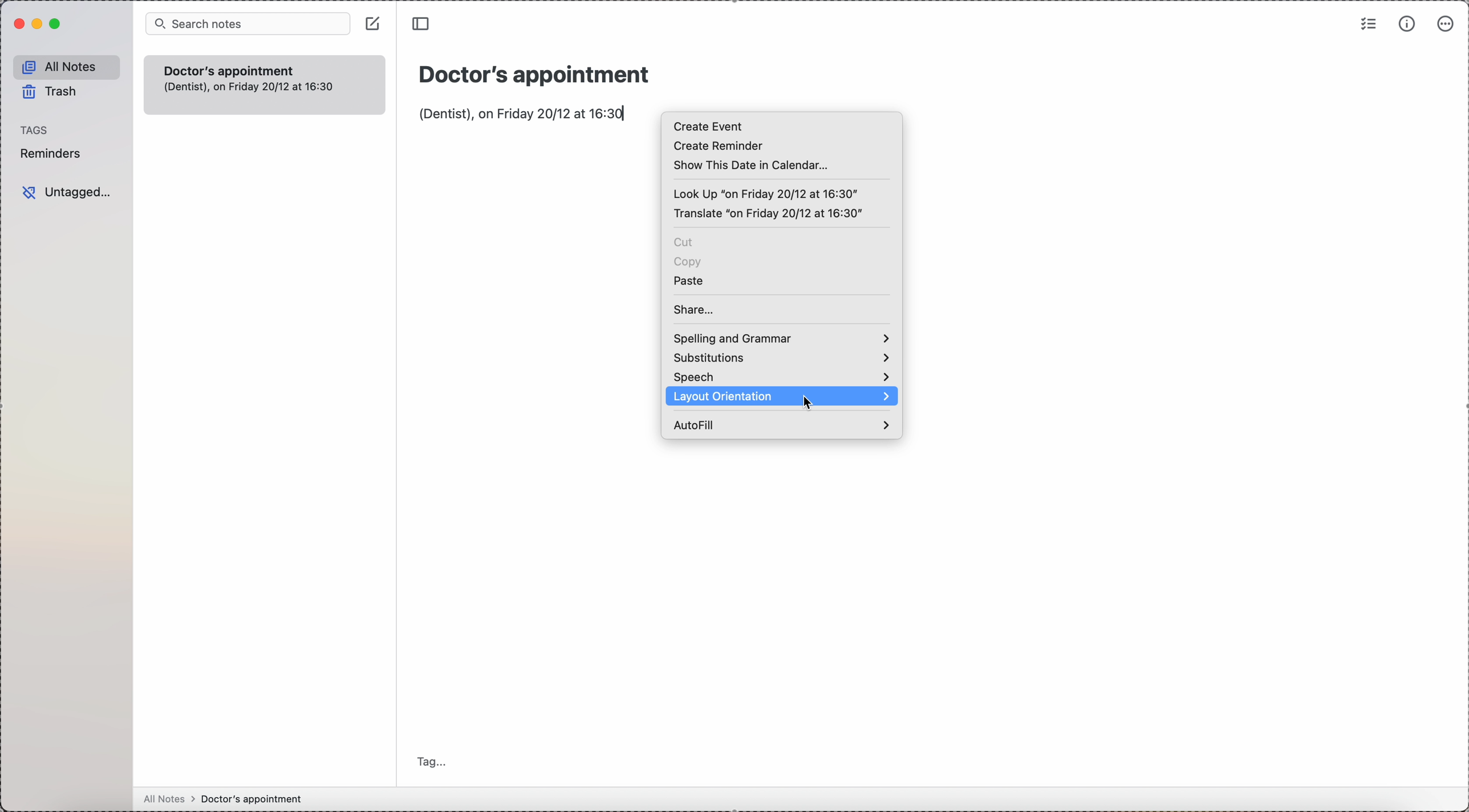 The image size is (1469, 812). Describe the element at coordinates (768, 214) in the screenshot. I see `translate on friday 20}712 at 16:30` at that location.